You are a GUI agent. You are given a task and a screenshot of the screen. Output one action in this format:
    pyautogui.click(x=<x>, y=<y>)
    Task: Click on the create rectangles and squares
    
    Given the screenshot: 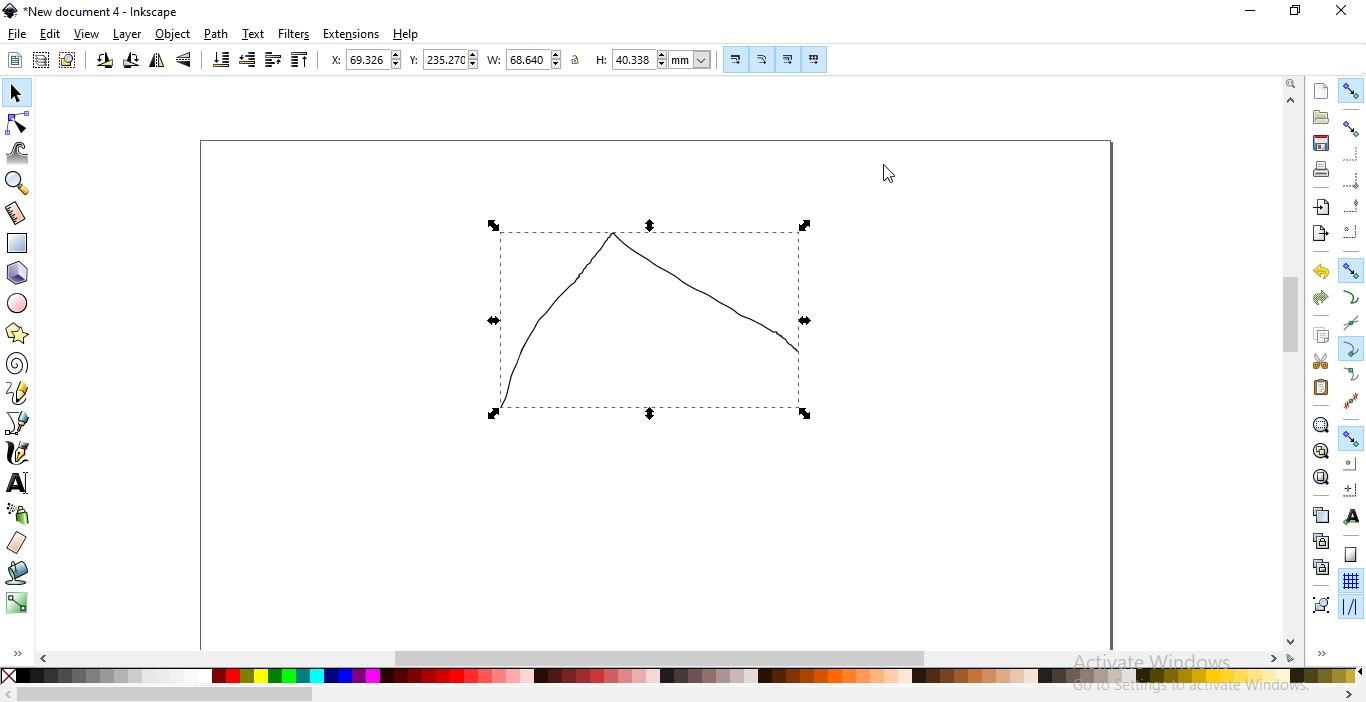 What is the action you would take?
    pyautogui.click(x=16, y=243)
    